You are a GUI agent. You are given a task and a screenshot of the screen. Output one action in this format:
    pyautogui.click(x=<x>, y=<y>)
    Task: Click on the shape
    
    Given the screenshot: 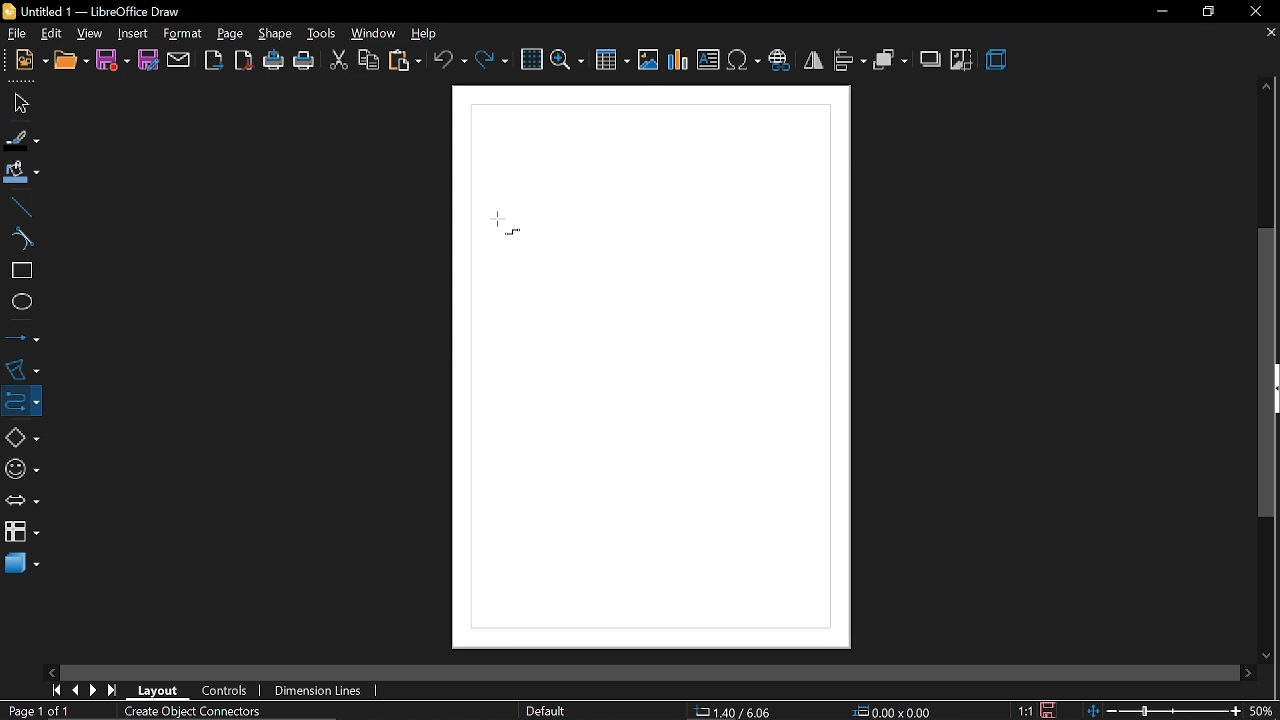 What is the action you would take?
    pyautogui.click(x=272, y=33)
    